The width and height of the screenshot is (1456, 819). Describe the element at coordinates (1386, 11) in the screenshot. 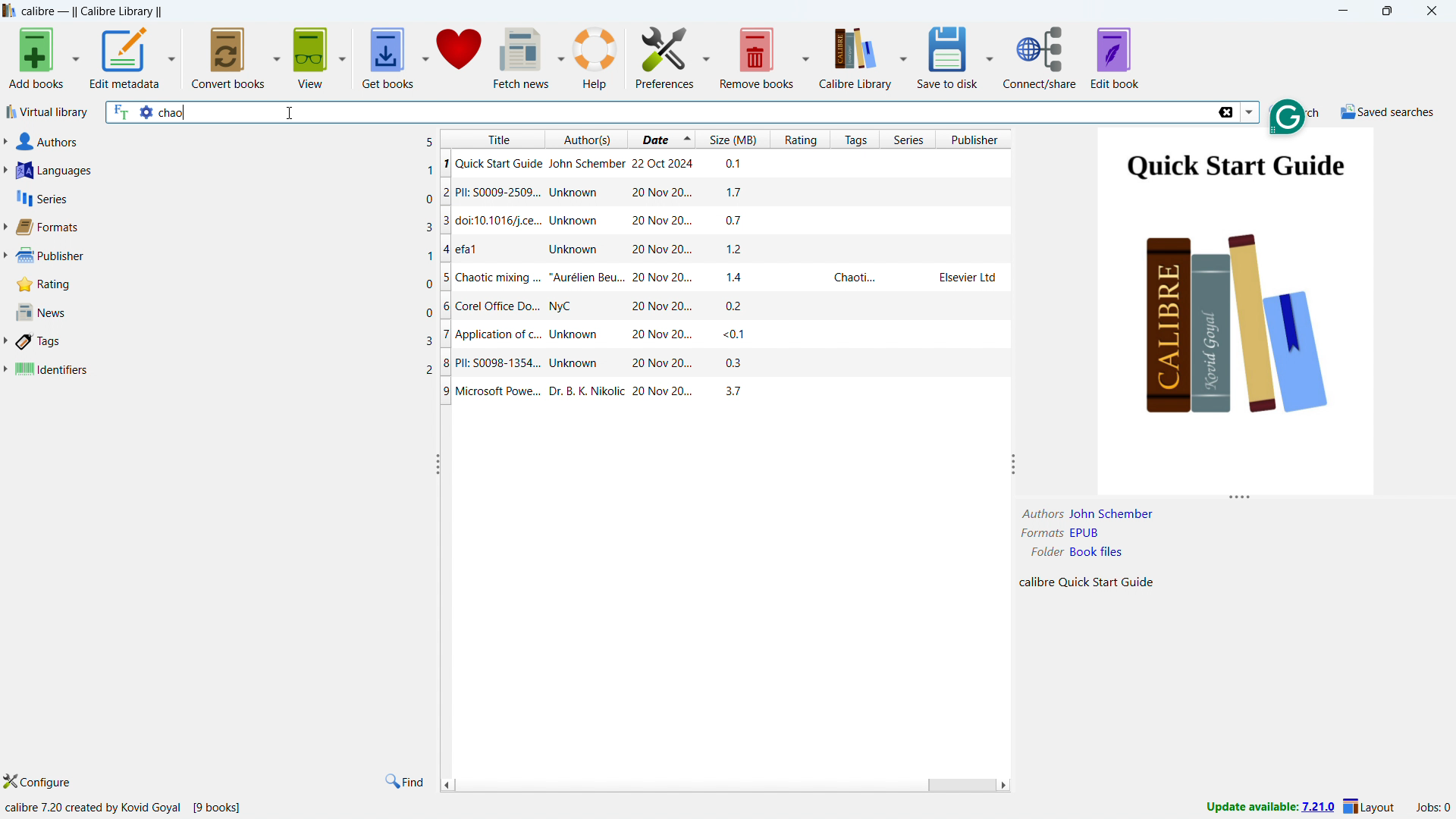

I see `maximize` at that location.